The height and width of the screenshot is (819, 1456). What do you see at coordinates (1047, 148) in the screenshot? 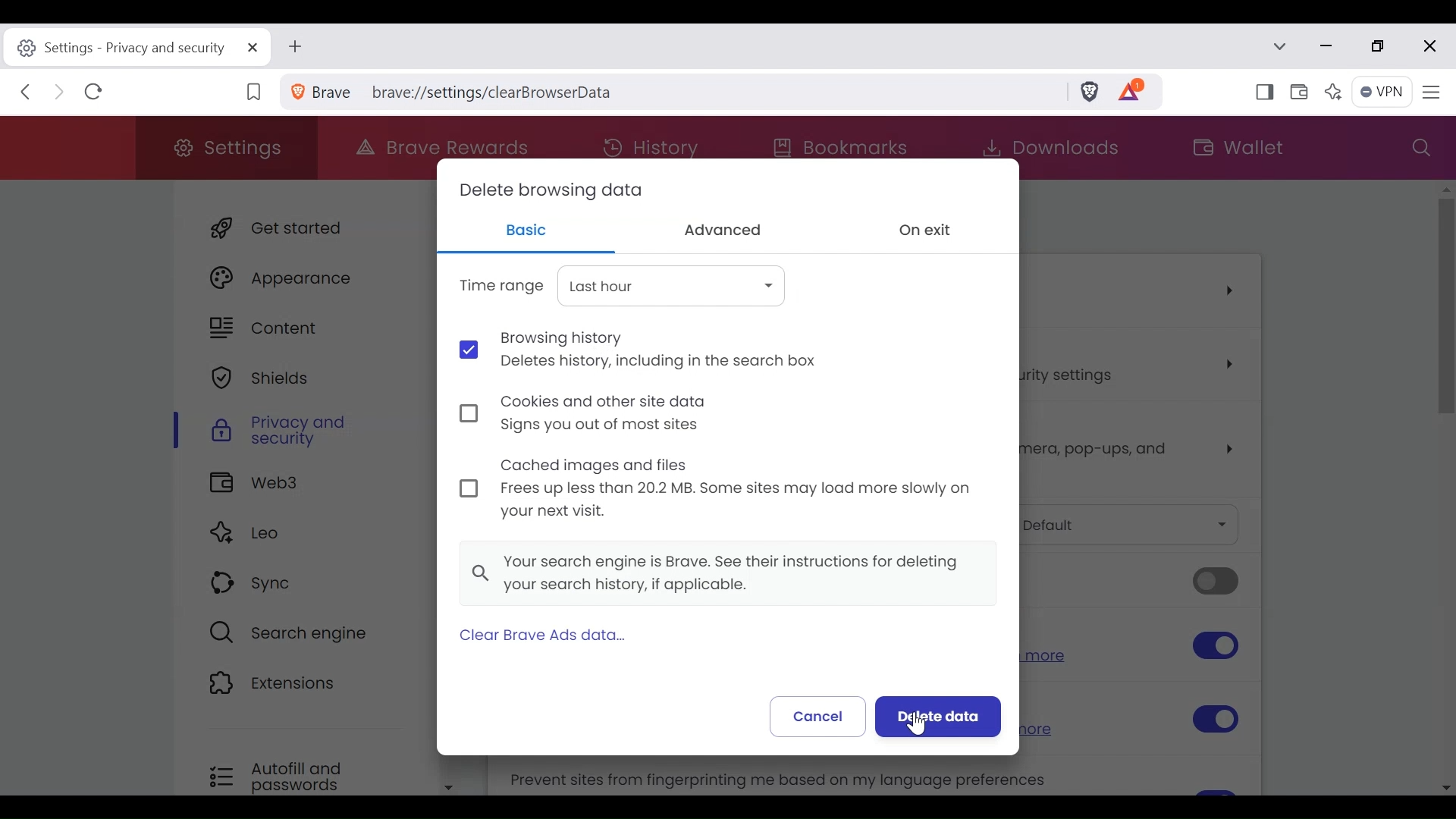
I see `Downloads` at bounding box center [1047, 148].